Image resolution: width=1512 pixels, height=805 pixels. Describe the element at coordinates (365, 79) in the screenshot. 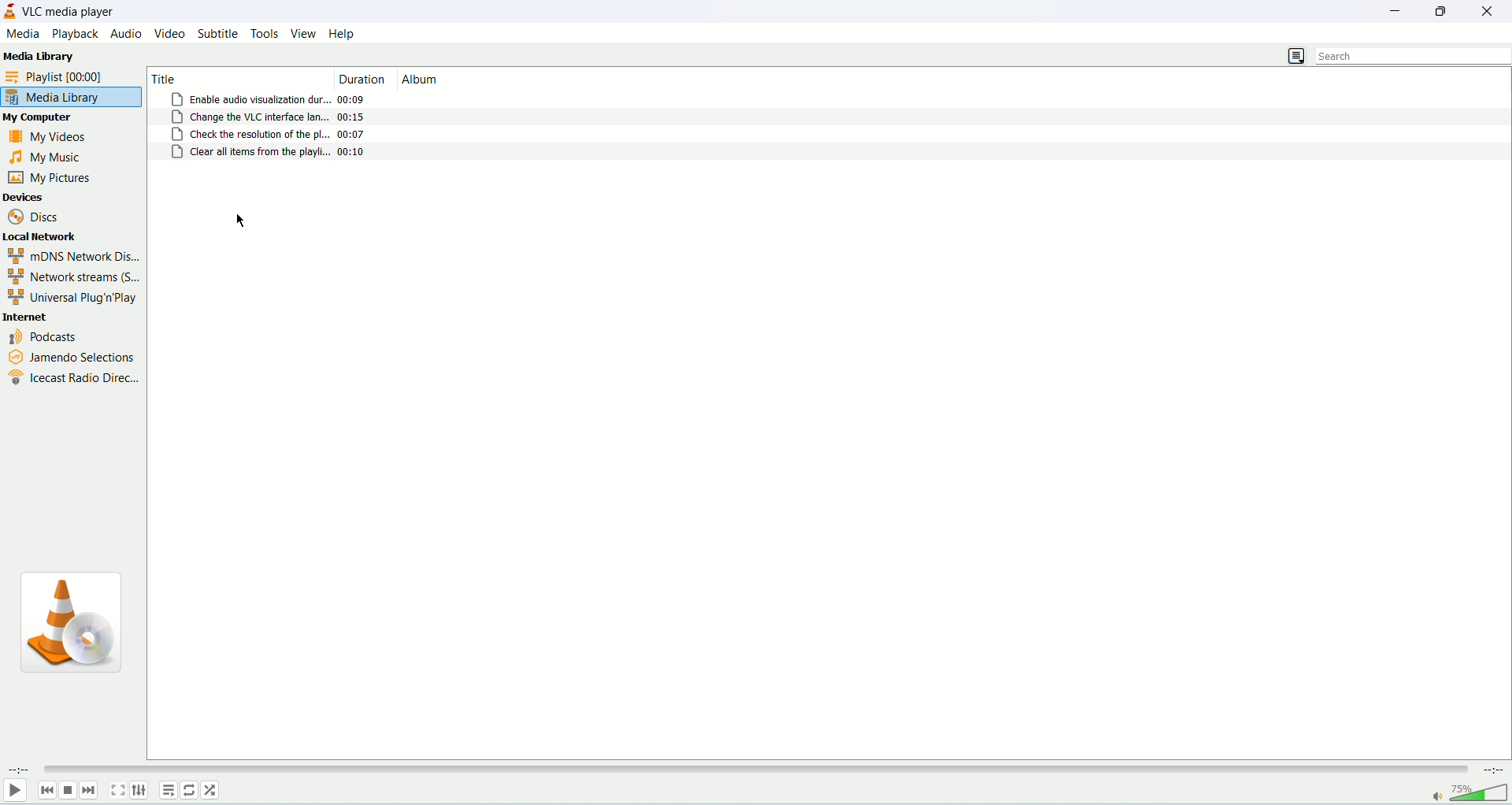

I see `duration` at that location.